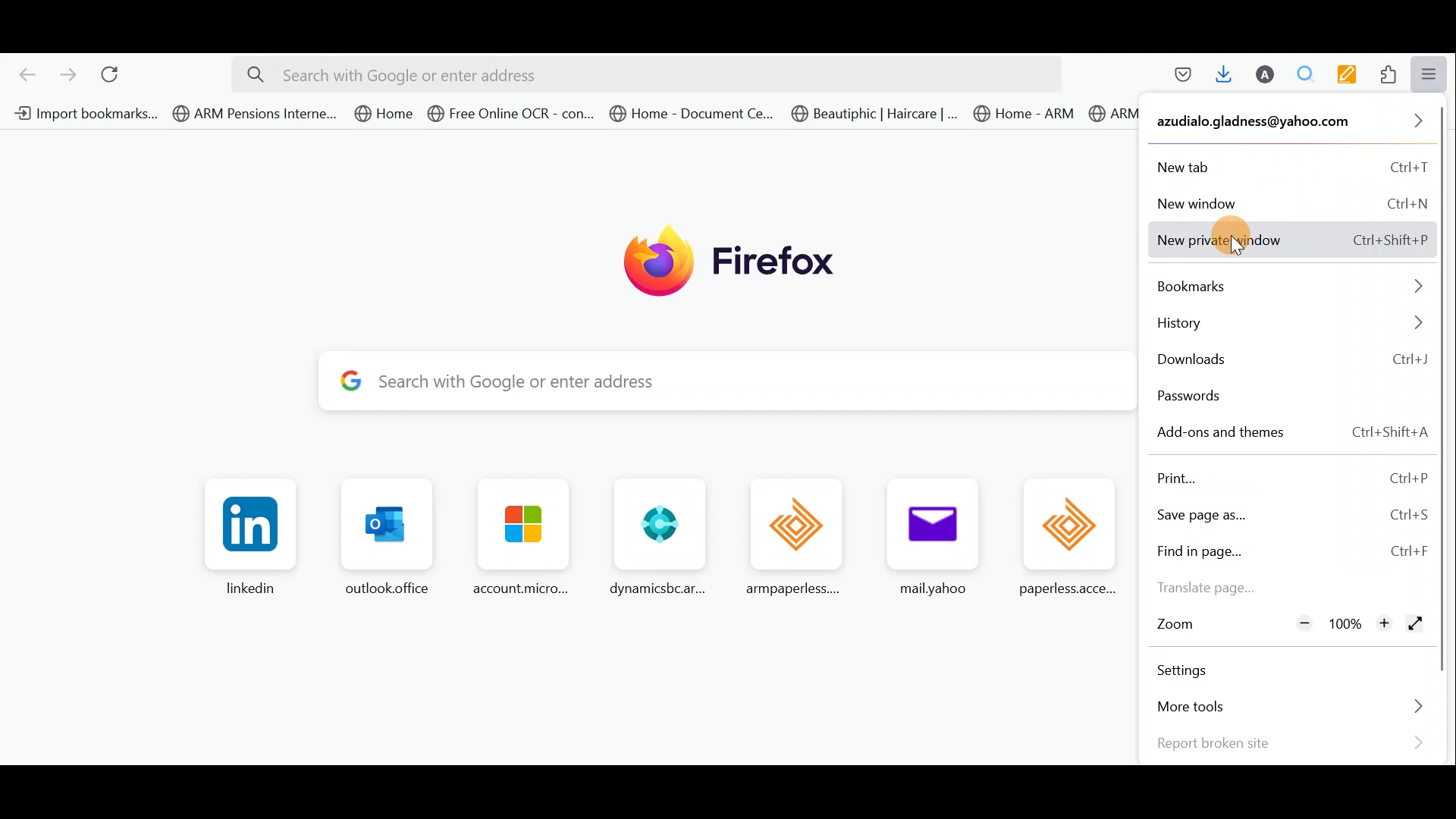 This screenshot has height=819, width=1456. I want to click on  ARM Pensions Interne..., so click(255, 114).